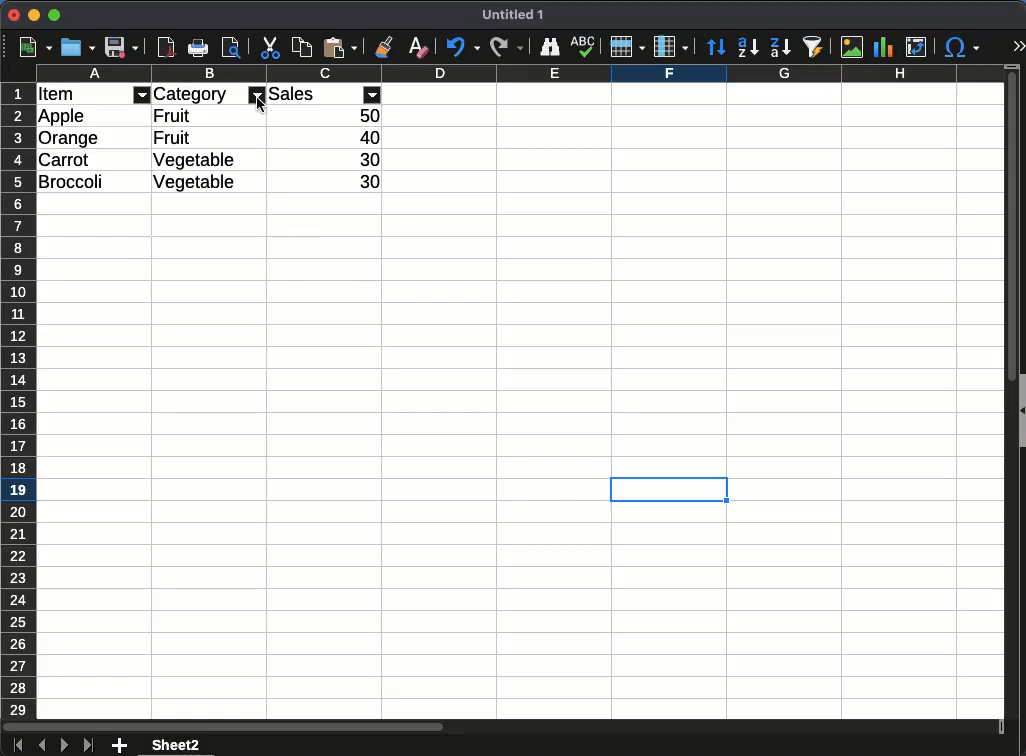  What do you see at coordinates (70, 137) in the screenshot?
I see `orange` at bounding box center [70, 137].